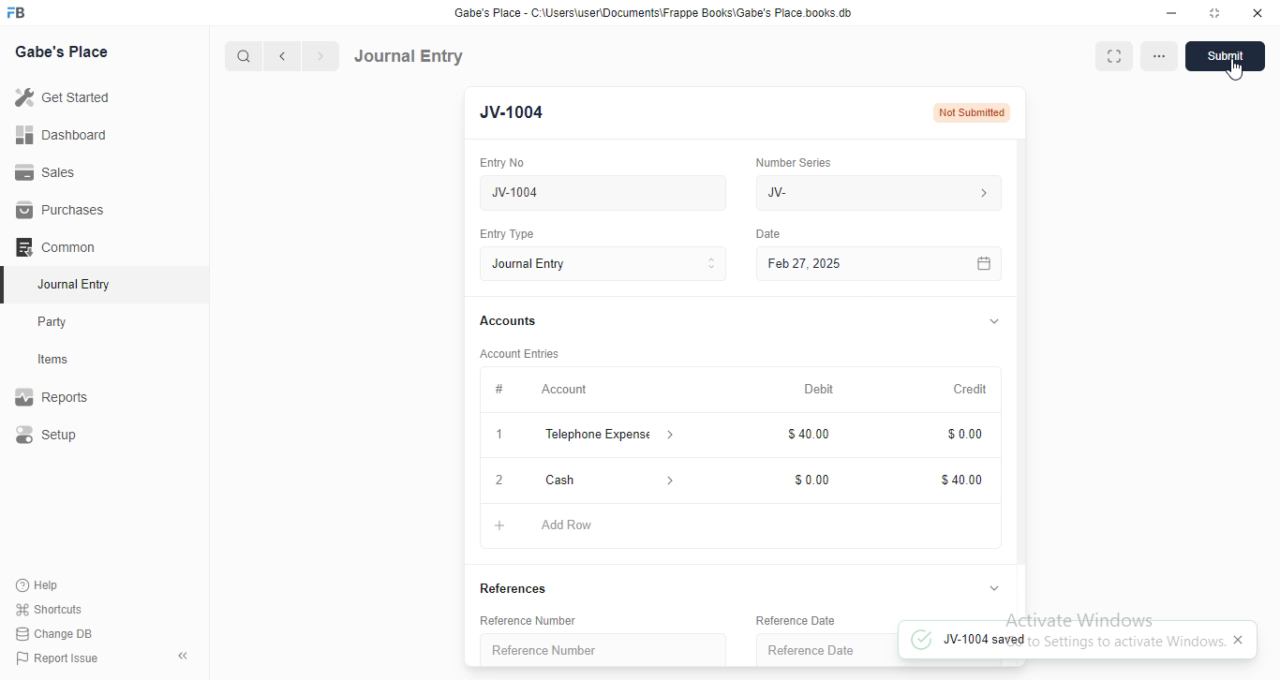 The height and width of the screenshot is (680, 1280). Describe the element at coordinates (50, 608) in the screenshot. I see `' Shortcuts` at that location.